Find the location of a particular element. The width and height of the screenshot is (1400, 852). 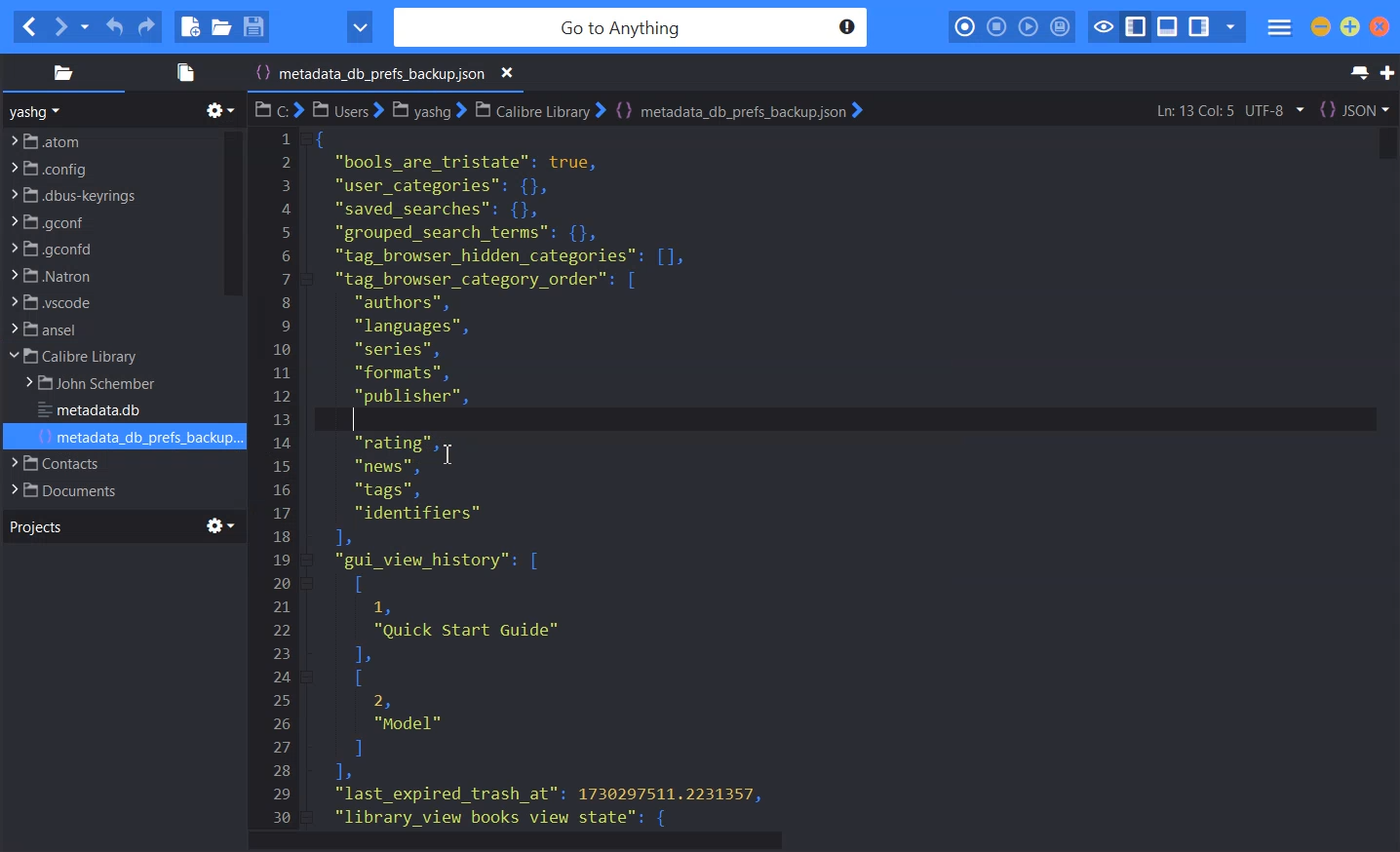

File is located at coordinates (138, 438).